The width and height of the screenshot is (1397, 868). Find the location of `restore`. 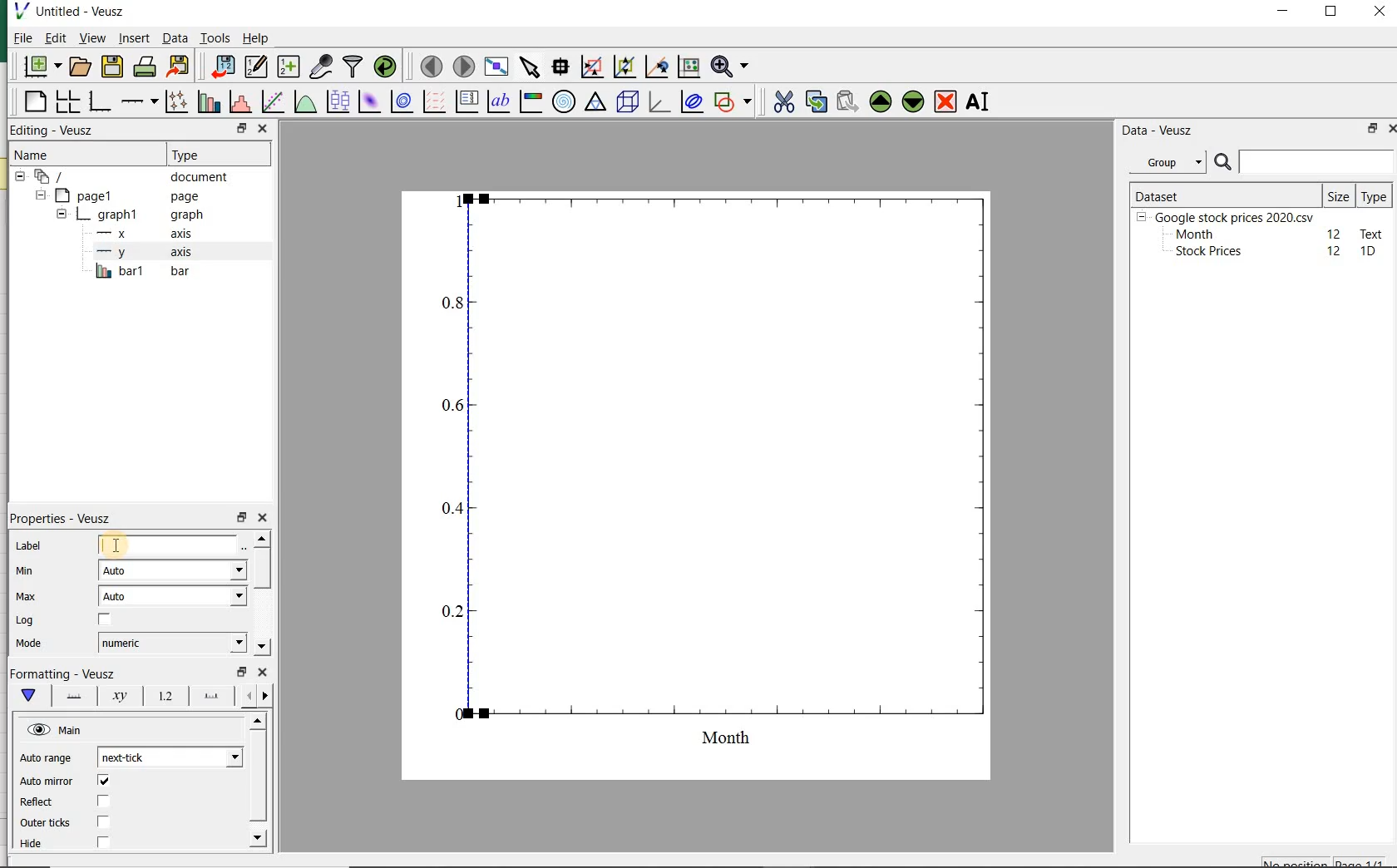

restore is located at coordinates (1370, 130).